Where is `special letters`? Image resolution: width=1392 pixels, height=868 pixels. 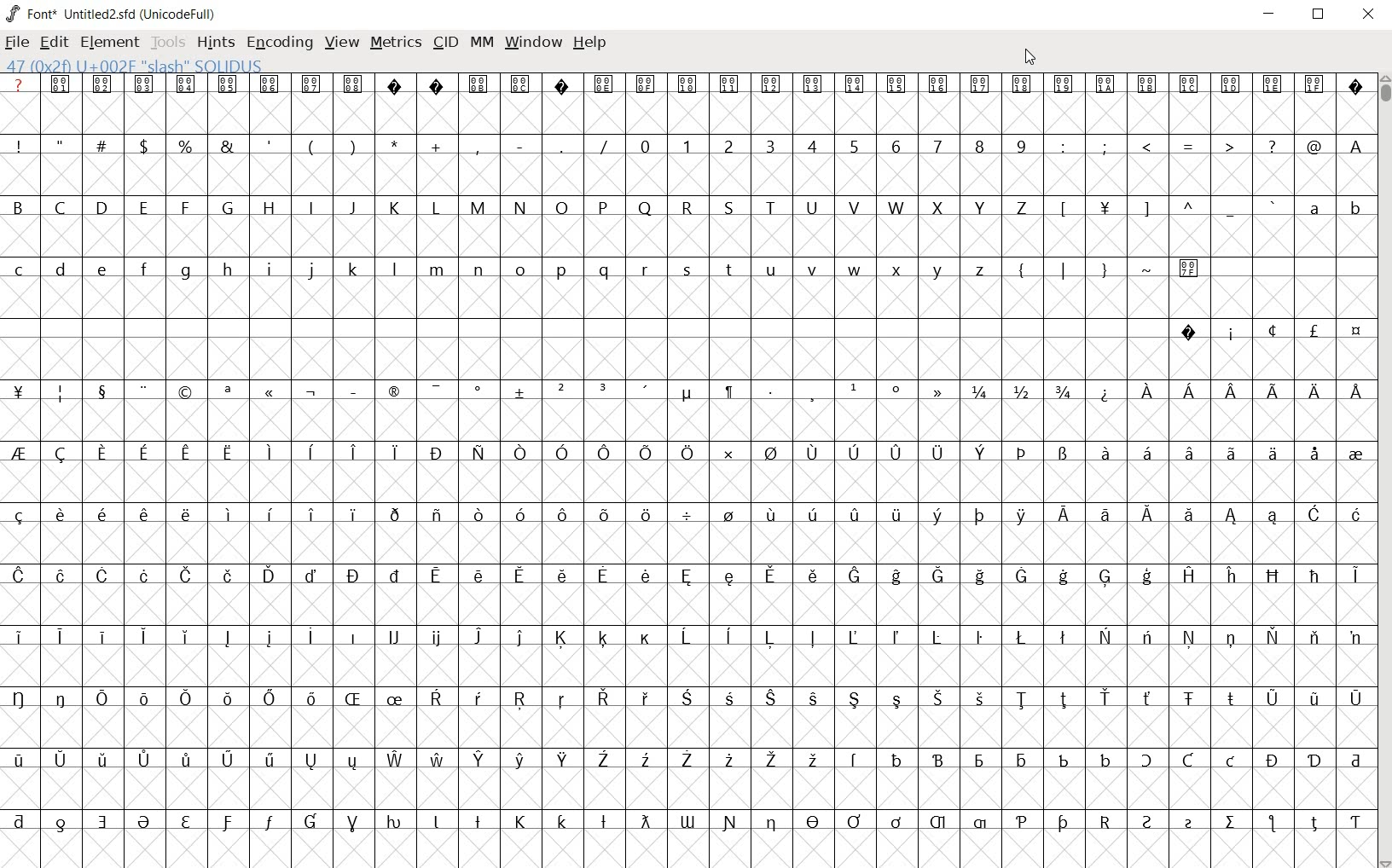
special letters is located at coordinates (685, 512).